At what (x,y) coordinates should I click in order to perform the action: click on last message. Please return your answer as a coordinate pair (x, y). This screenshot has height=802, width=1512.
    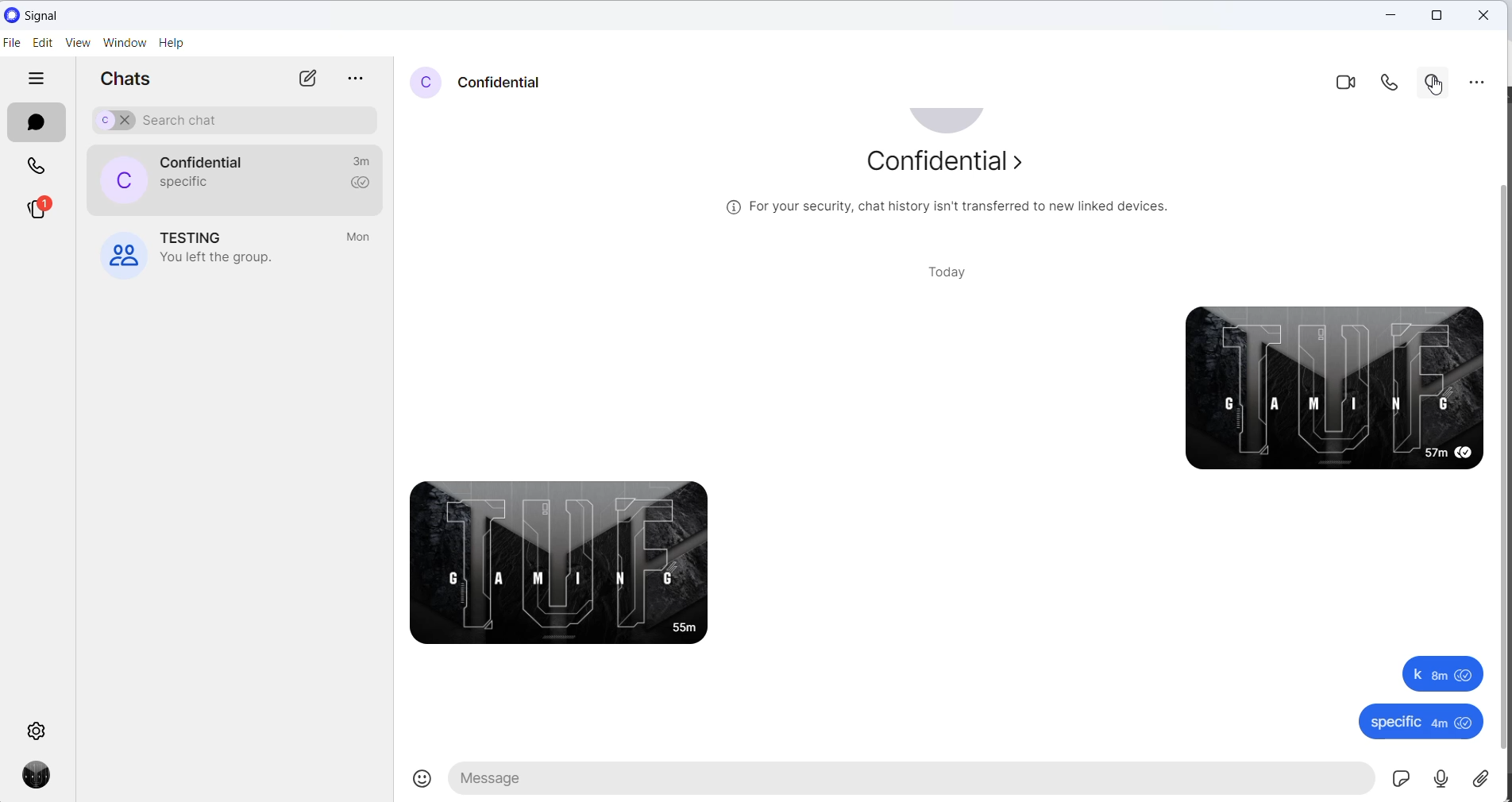
    Looking at the image, I should click on (182, 183).